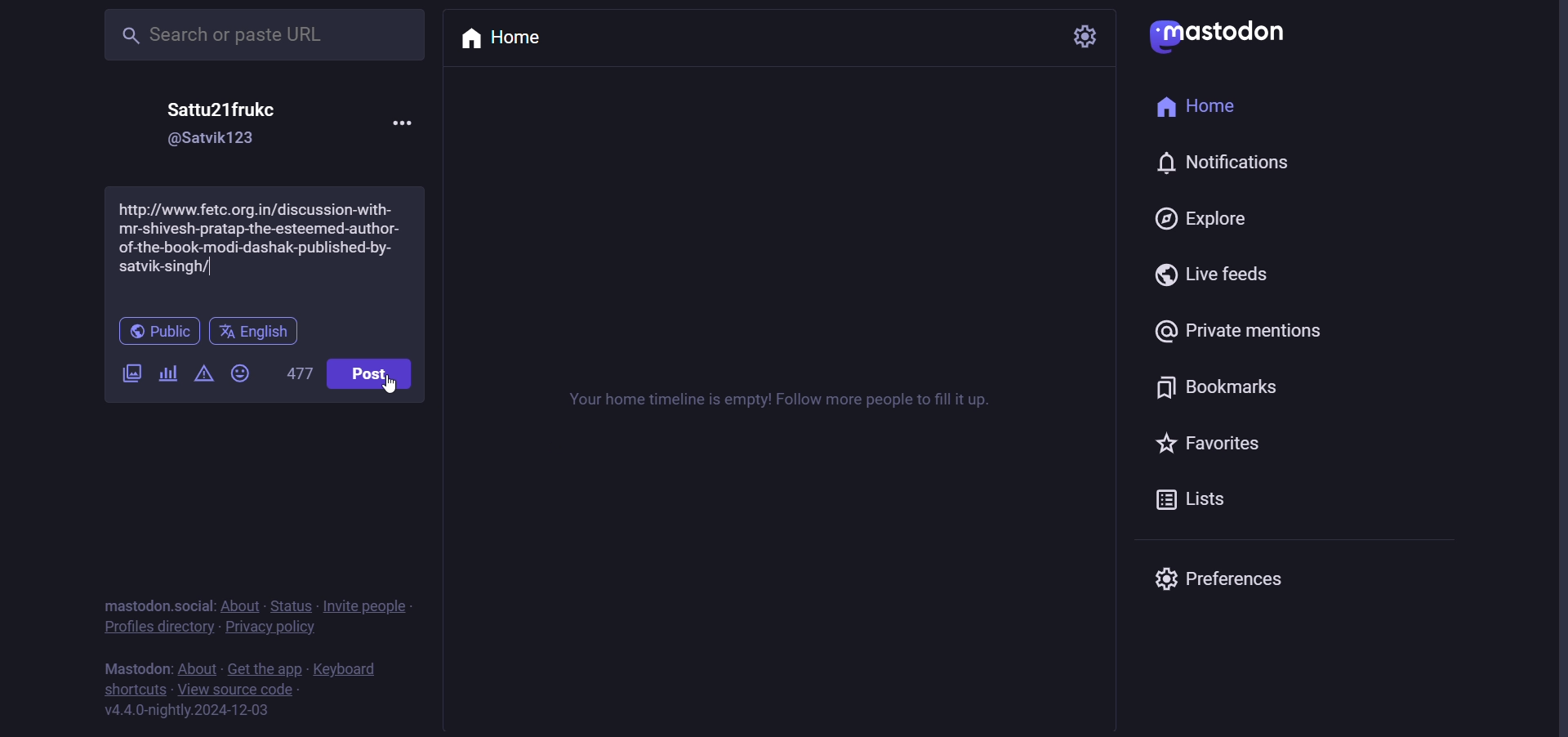  What do you see at coordinates (1237, 574) in the screenshot?
I see `preferences` at bounding box center [1237, 574].